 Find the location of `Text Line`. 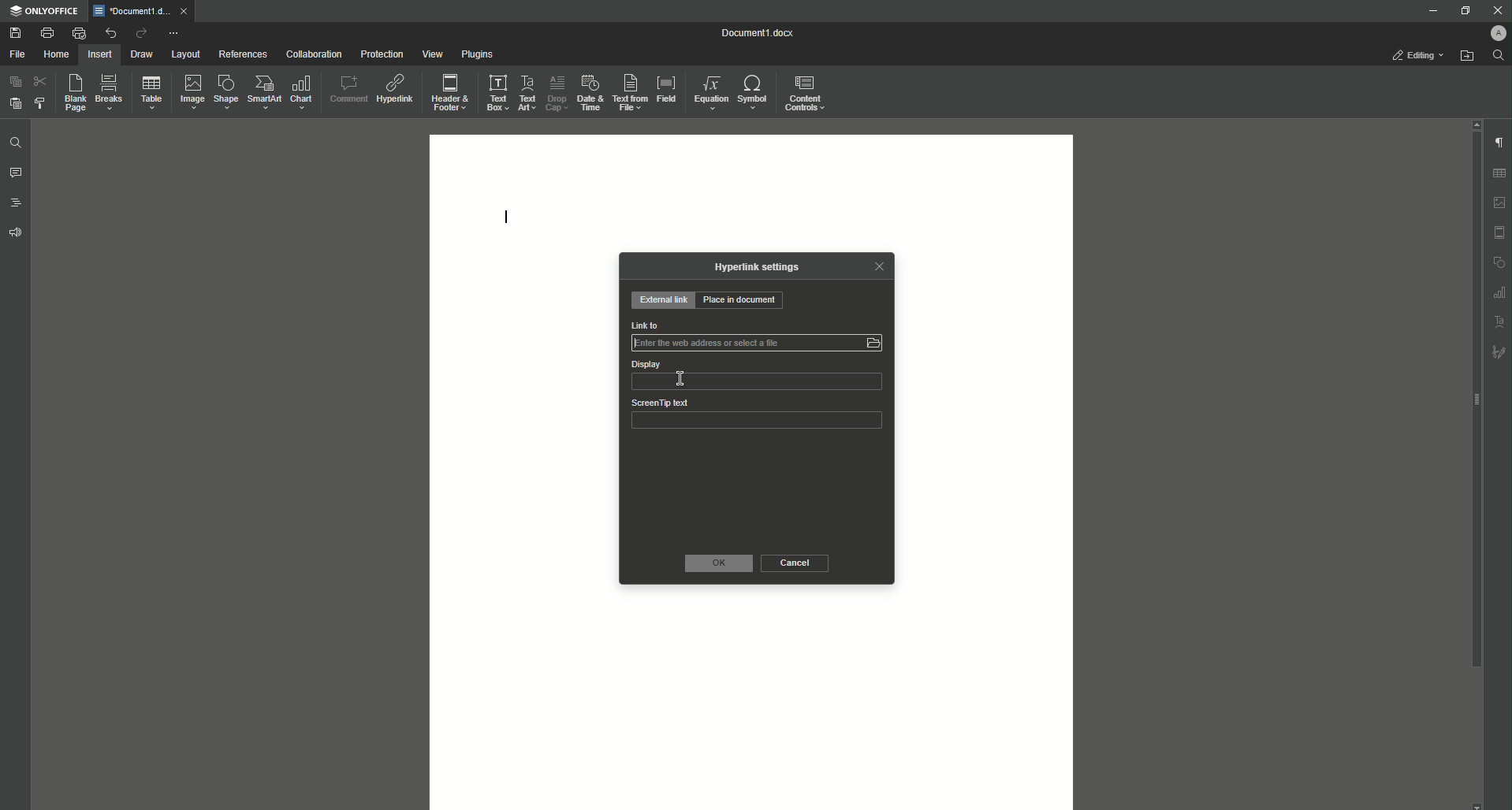

Text Line is located at coordinates (504, 218).